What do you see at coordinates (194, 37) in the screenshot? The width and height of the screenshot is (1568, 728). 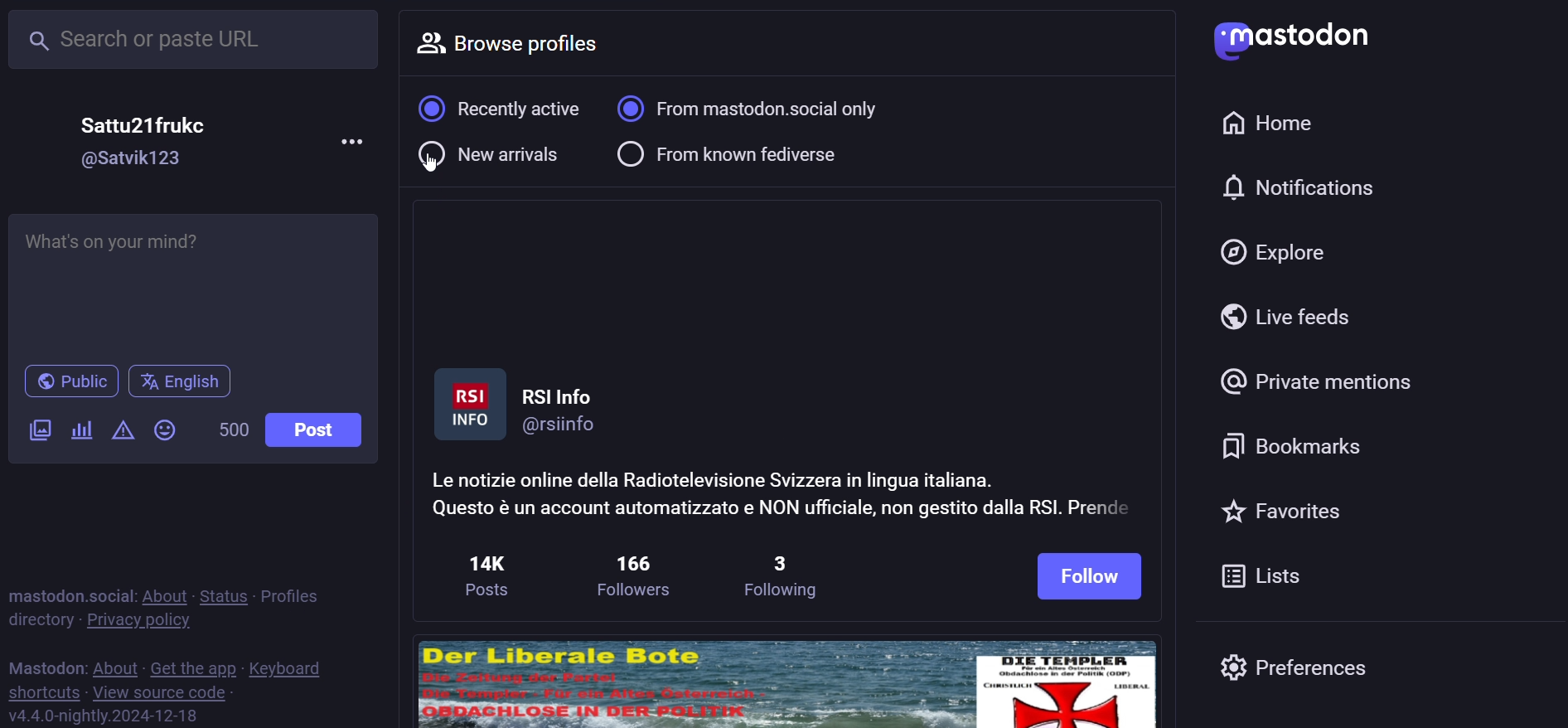 I see `search or paste url` at bounding box center [194, 37].